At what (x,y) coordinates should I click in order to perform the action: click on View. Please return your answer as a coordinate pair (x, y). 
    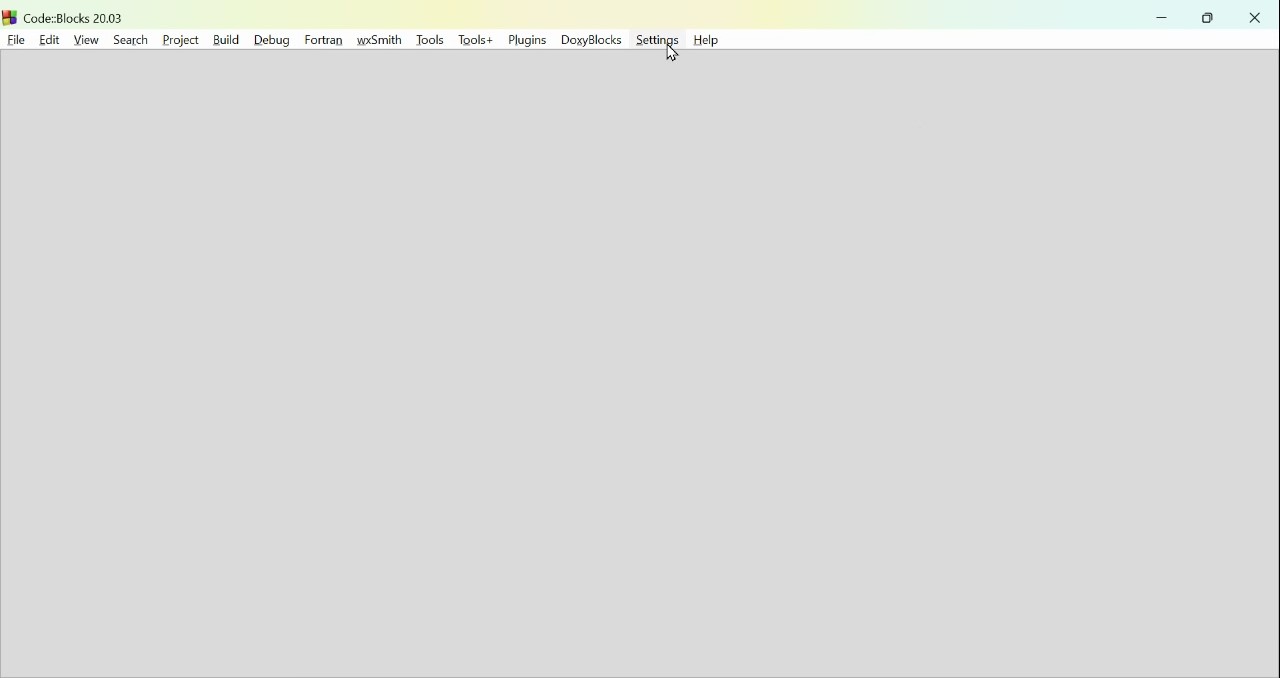
    Looking at the image, I should click on (86, 39).